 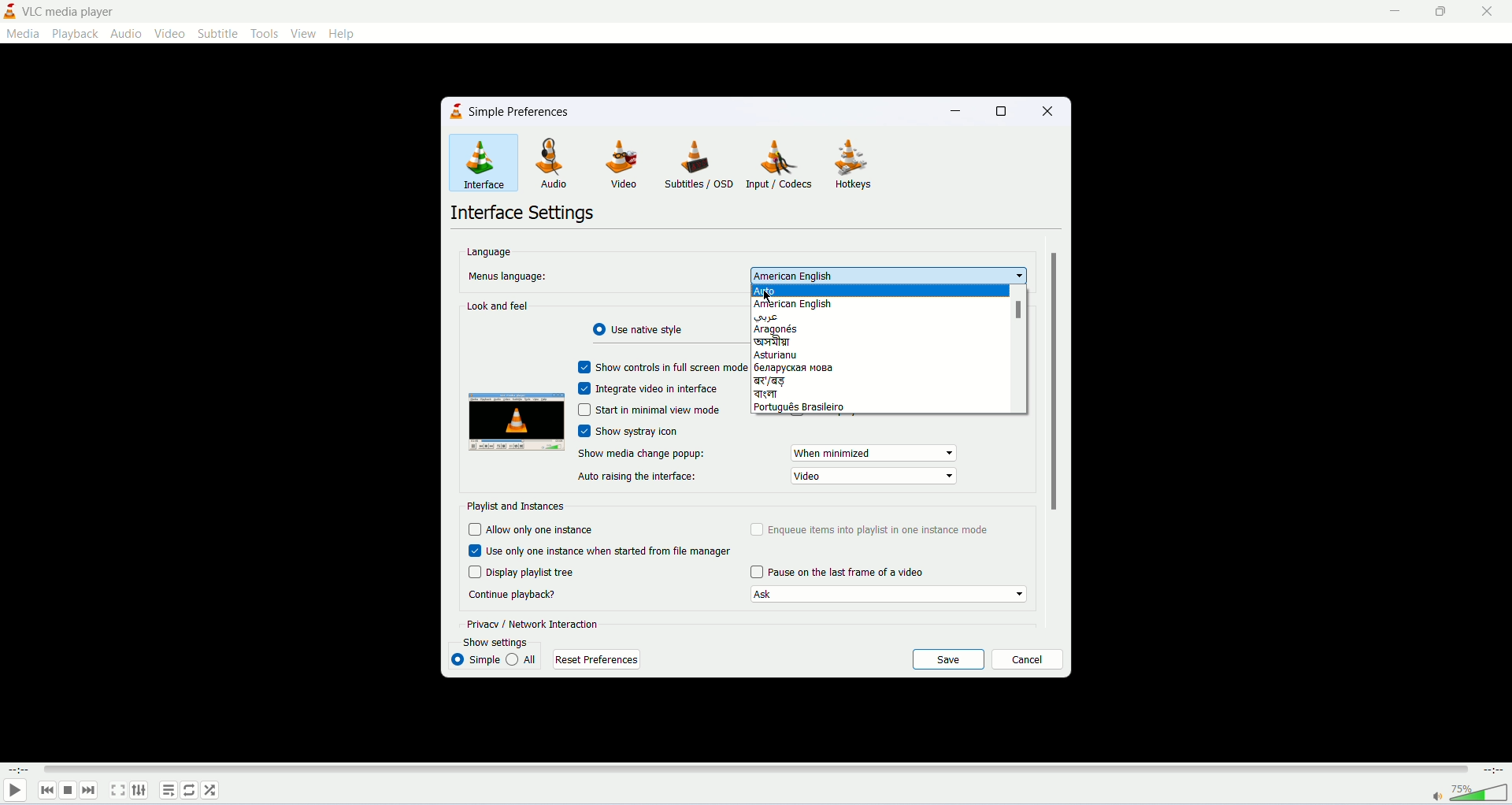 I want to click on close, so click(x=1043, y=110).